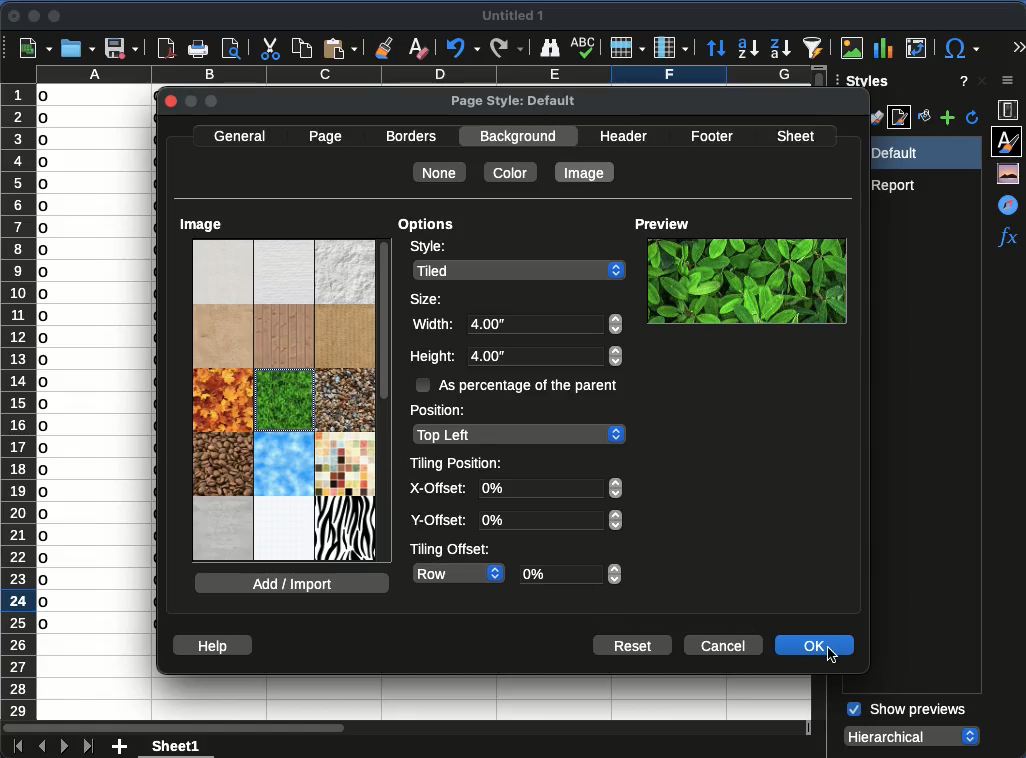 This screenshot has height=758, width=1026. Describe the element at coordinates (419, 75) in the screenshot. I see `columns` at that location.